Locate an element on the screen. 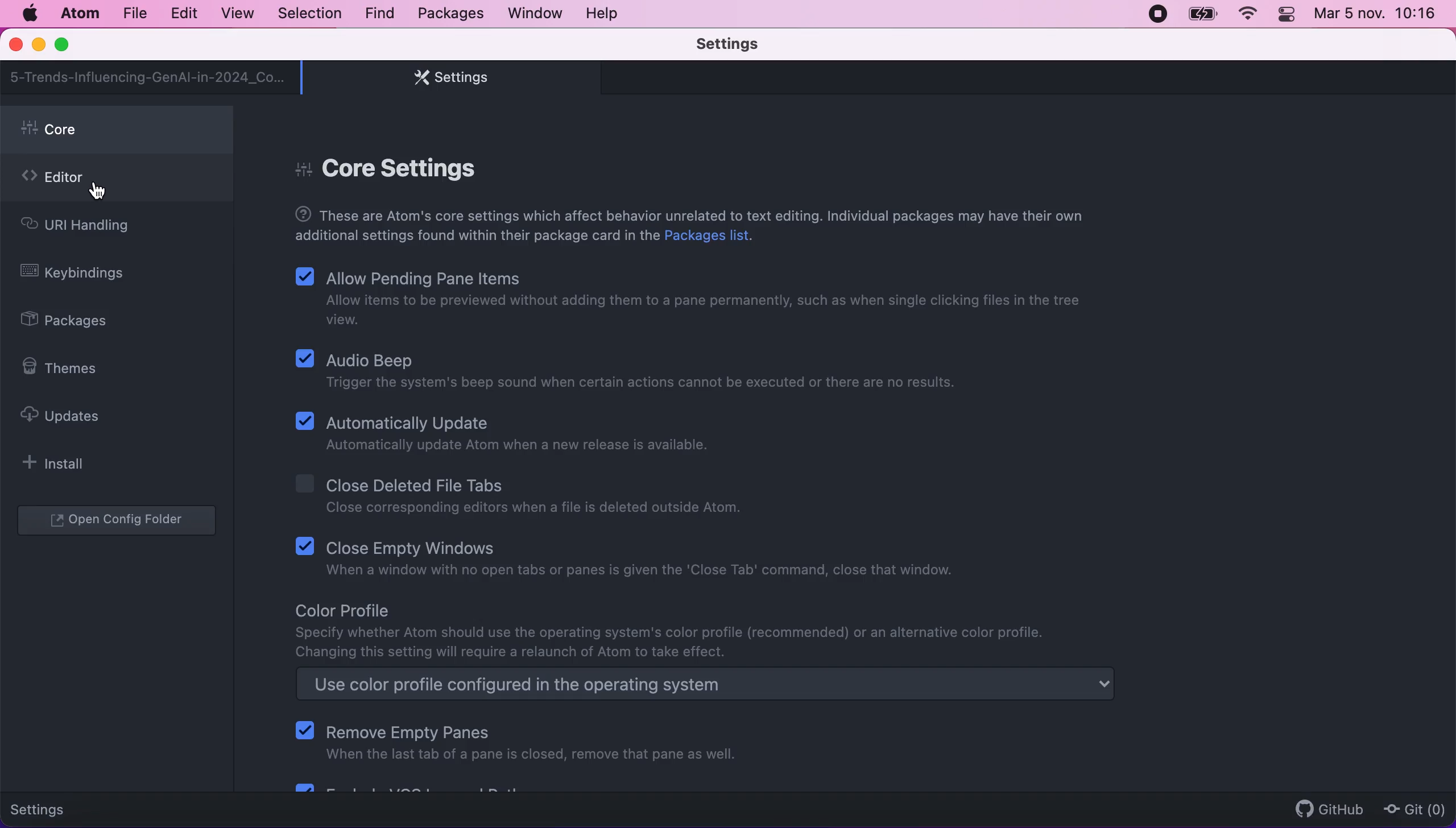  minimize is located at coordinates (38, 46).